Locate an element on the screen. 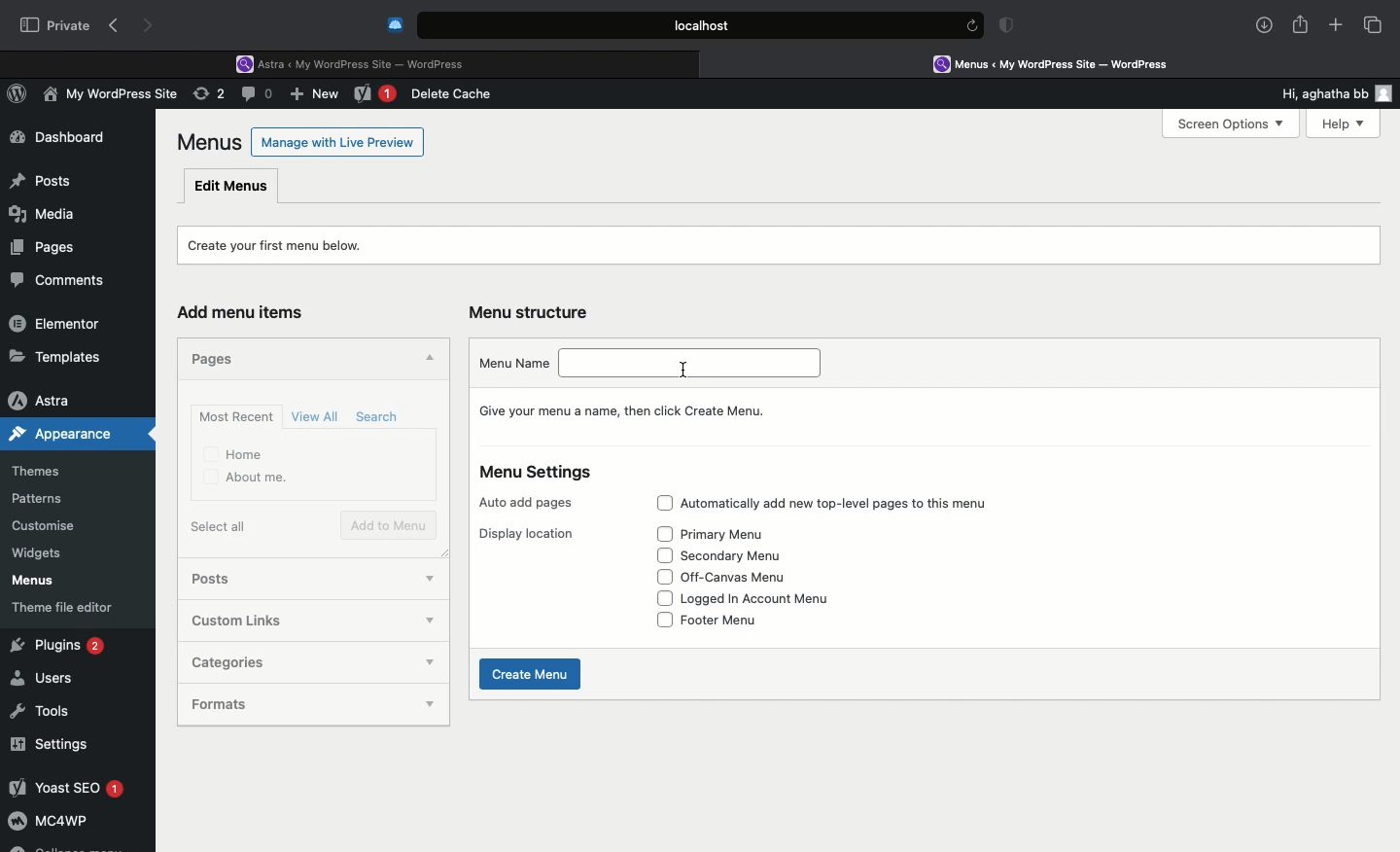 The height and width of the screenshot is (852, 1400). Show is located at coordinates (430, 665).